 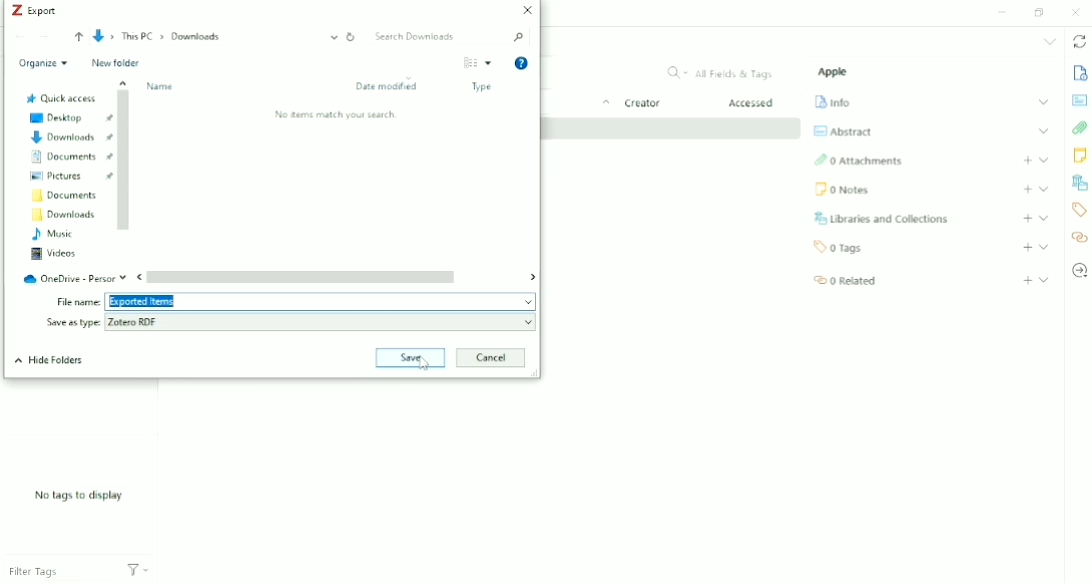 What do you see at coordinates (42, 63) in the screenshot?
I see `Organize` at bounding box center [42, 63].